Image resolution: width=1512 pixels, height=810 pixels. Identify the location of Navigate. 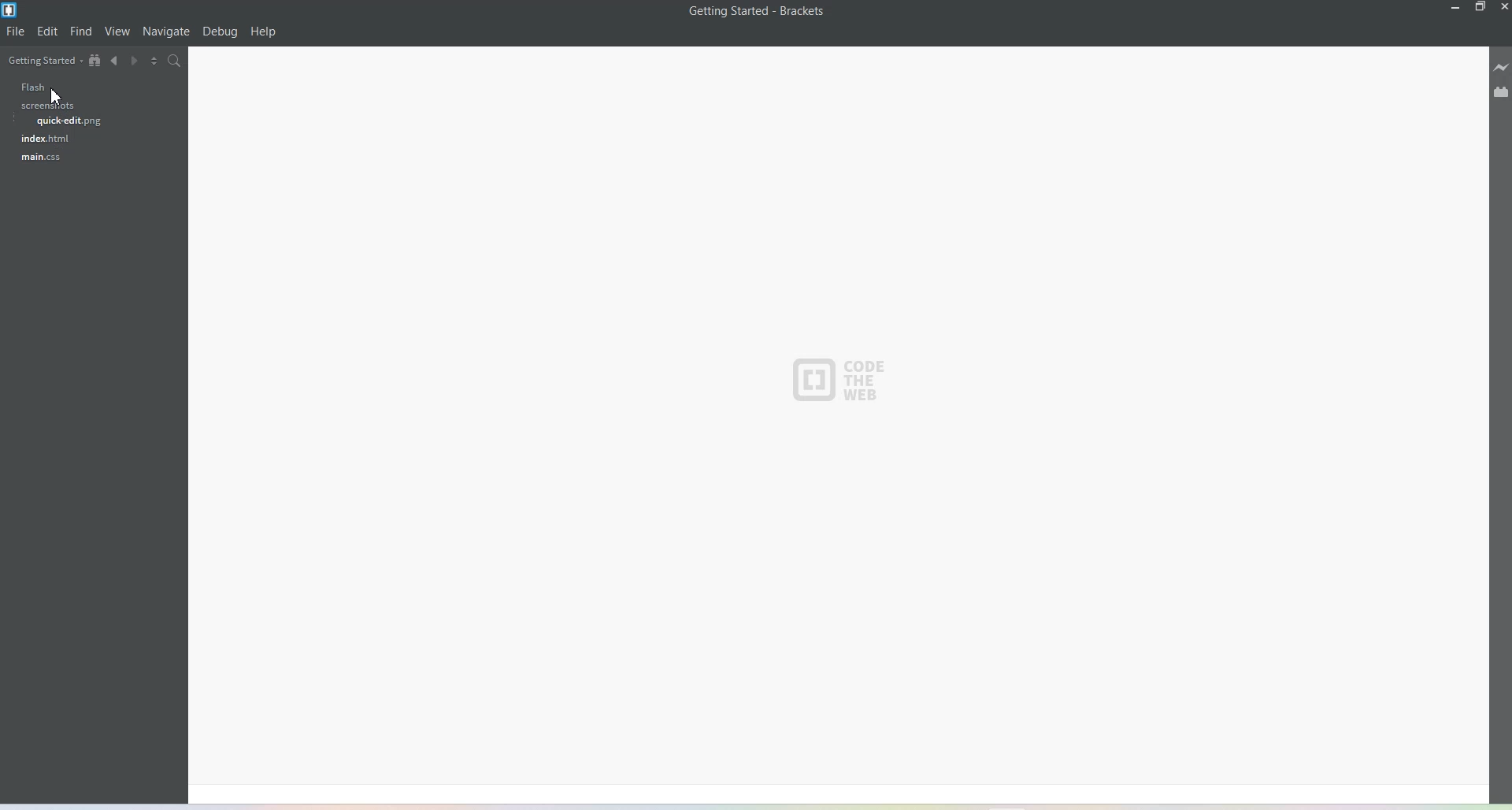
(166, 32).